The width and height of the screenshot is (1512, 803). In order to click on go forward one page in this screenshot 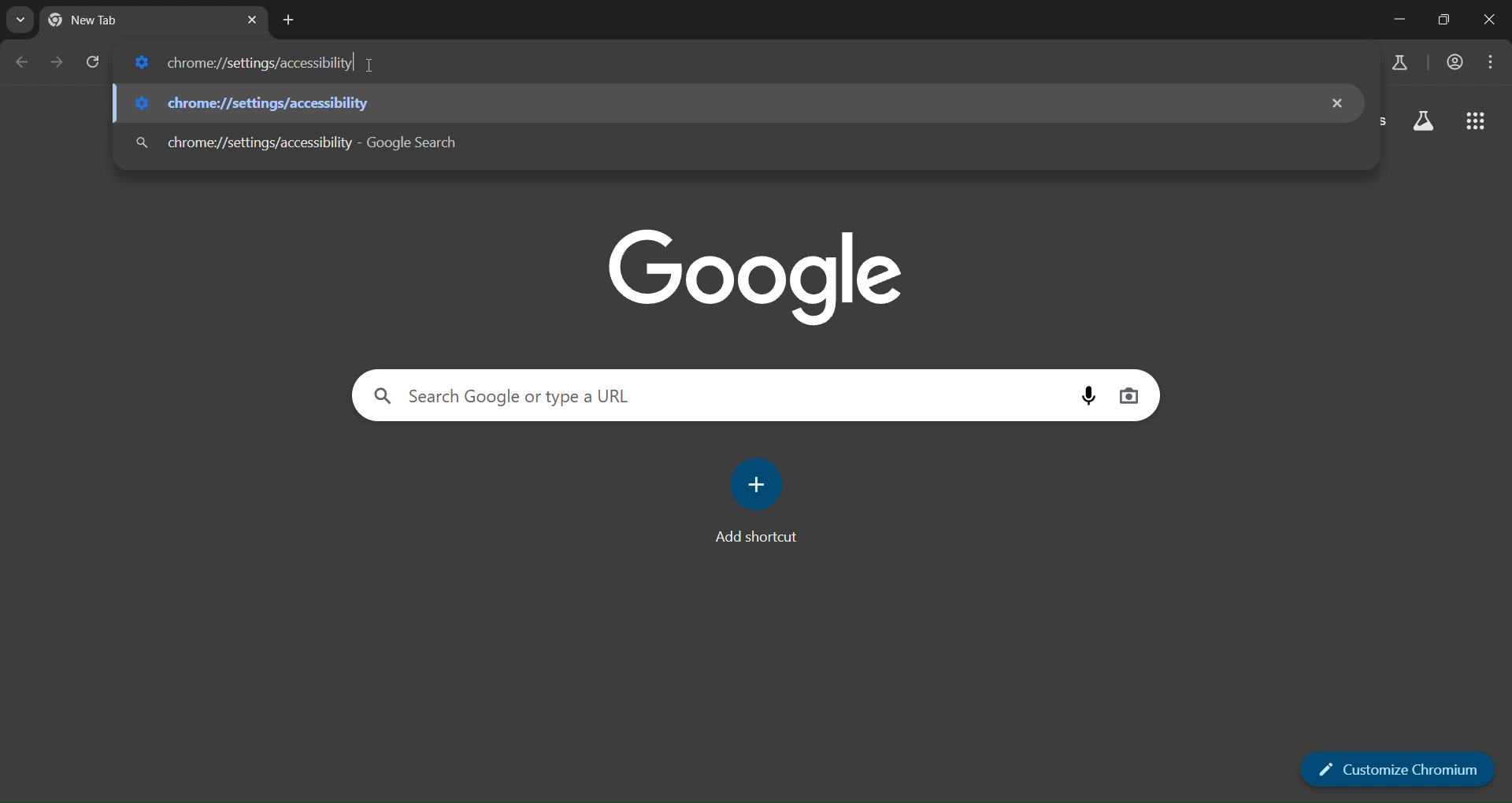, I will do `click(60, 63)`.